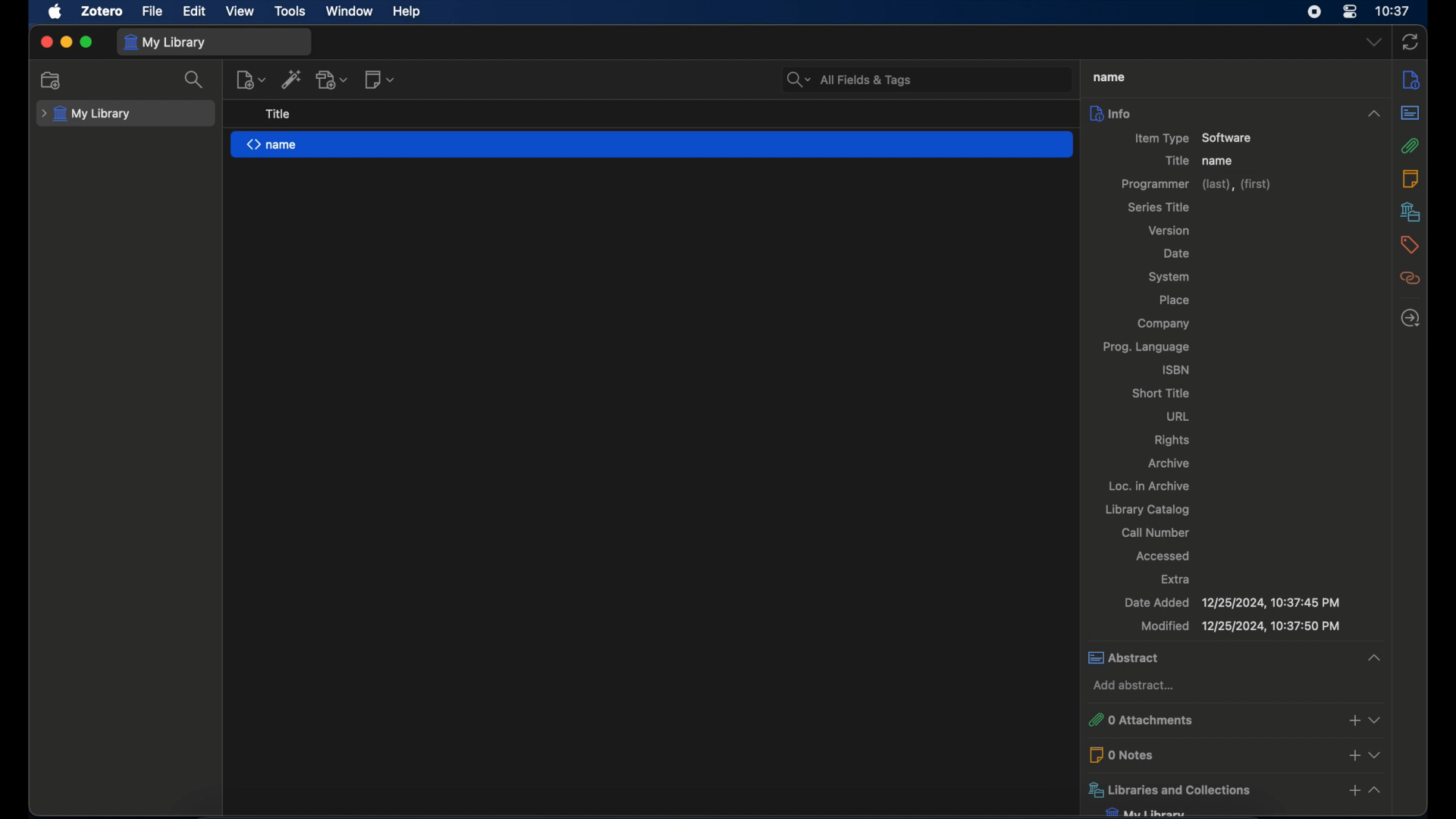  What do you see at coordinates (278, 115) in the screenshot?
I see `title ` at bounding box center [278, 115].